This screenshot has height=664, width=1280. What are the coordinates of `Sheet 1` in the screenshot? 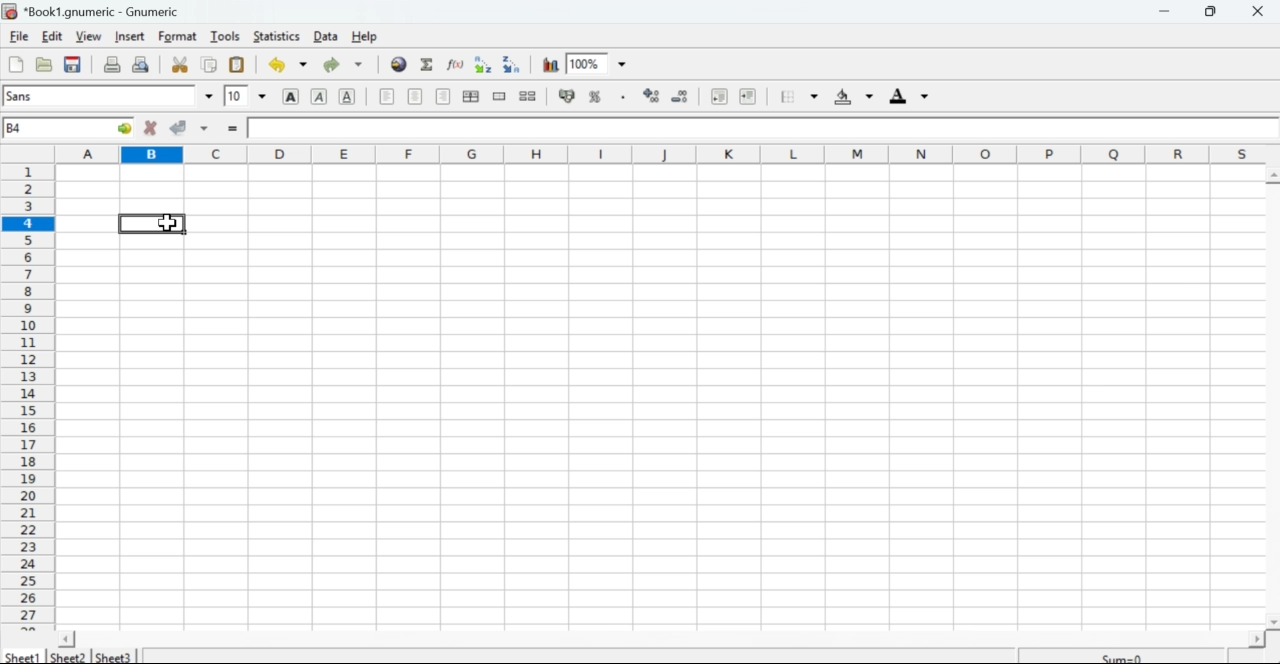 It's located at (24, 656).